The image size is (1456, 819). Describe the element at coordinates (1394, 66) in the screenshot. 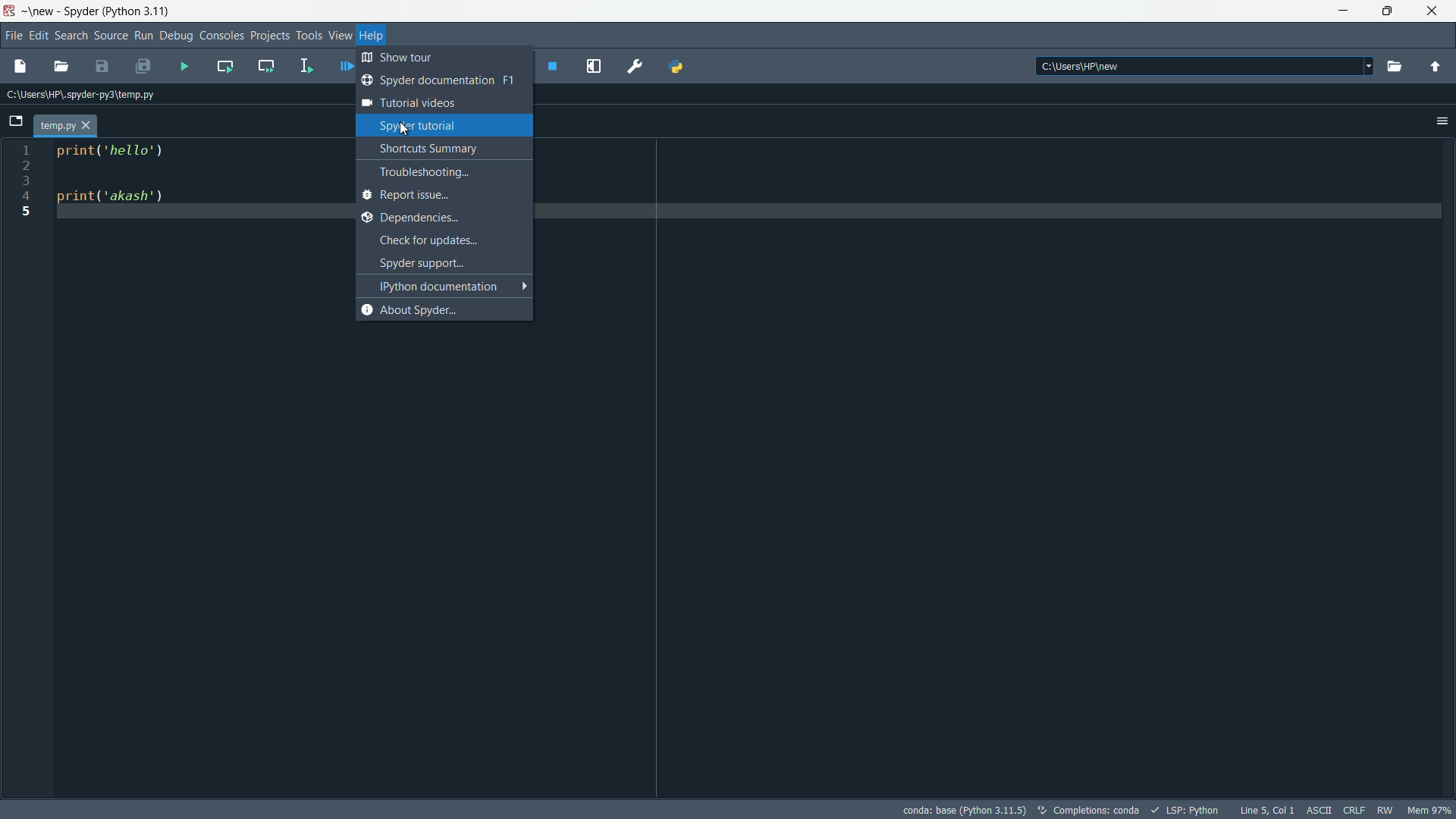

I see `browse a working directory` at that location.